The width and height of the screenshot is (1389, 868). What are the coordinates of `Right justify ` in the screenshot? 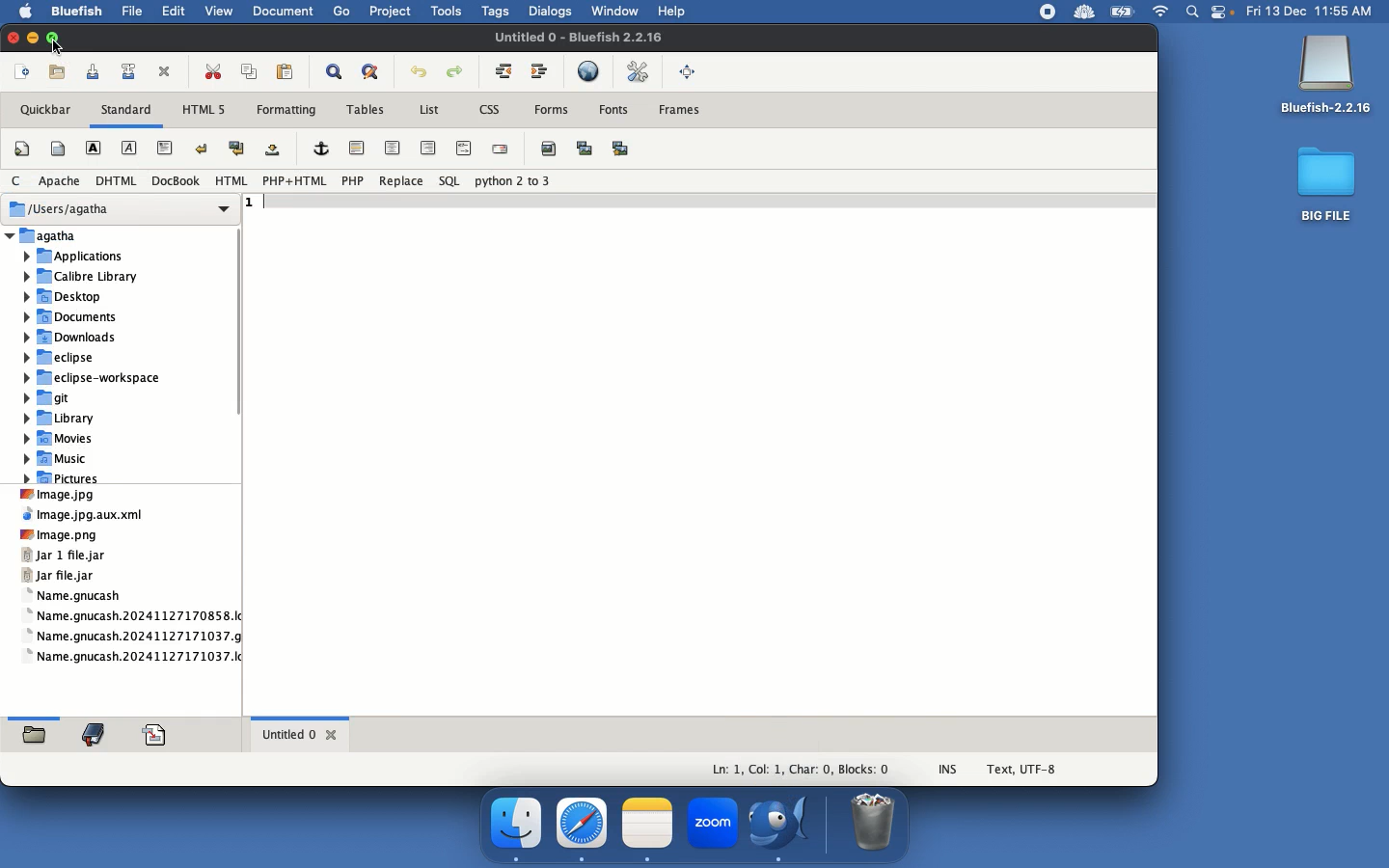 It's located at (430, 149).